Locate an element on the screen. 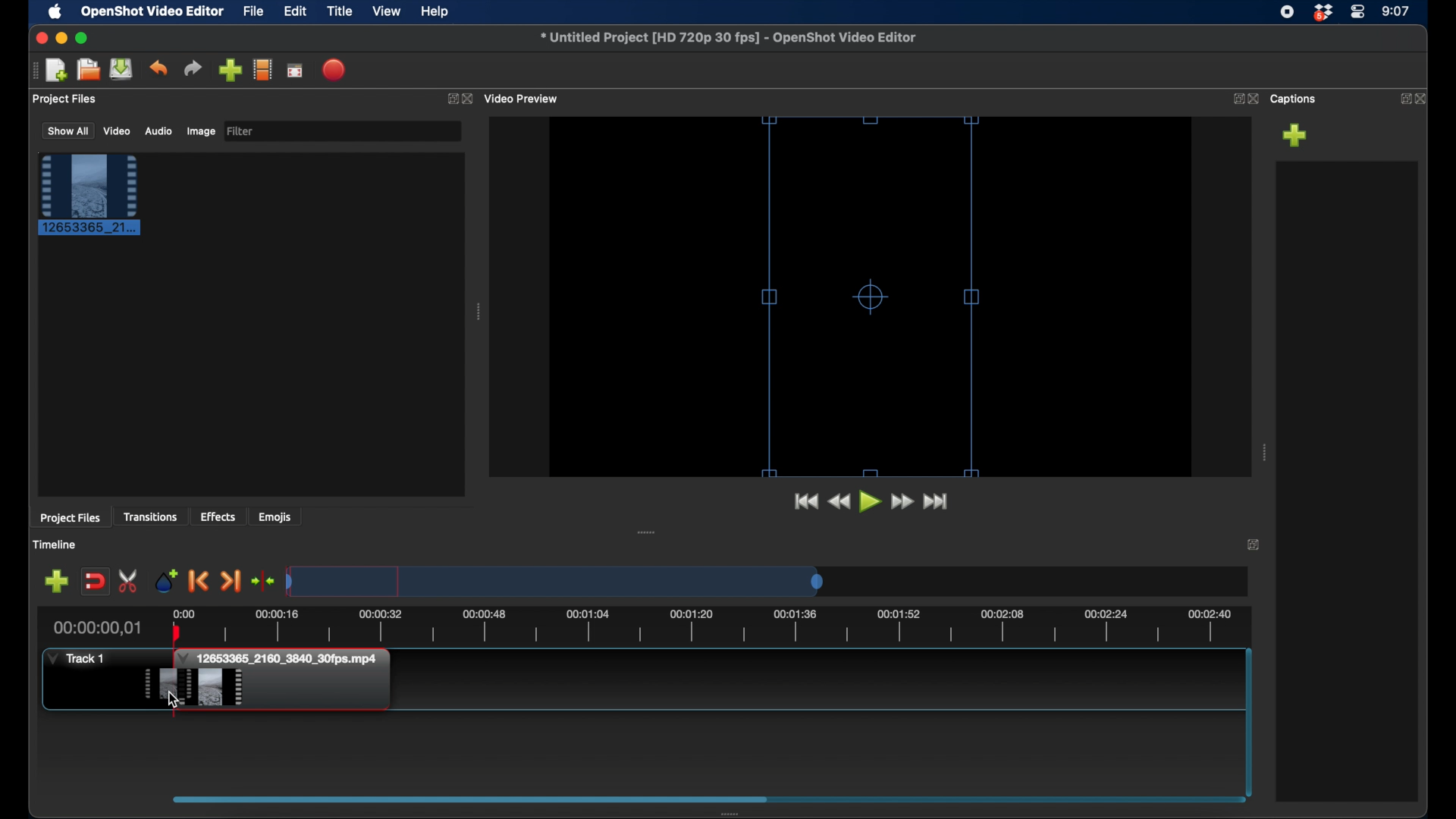 The height and width of the screenshot is (819, 1456). redo is located at coordinates (193, 68).